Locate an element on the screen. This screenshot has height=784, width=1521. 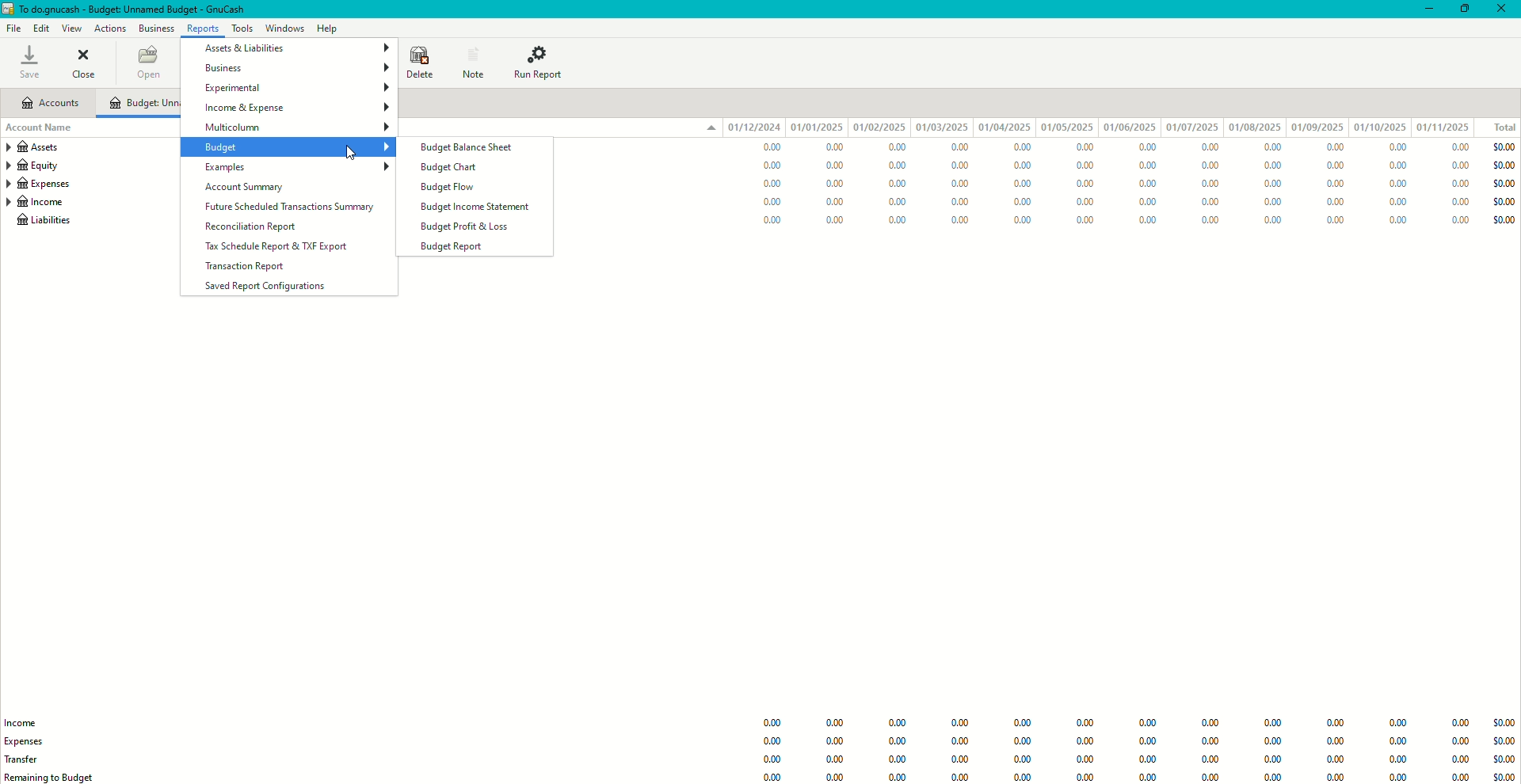
0.00 is located at coordinates (1458, 223).